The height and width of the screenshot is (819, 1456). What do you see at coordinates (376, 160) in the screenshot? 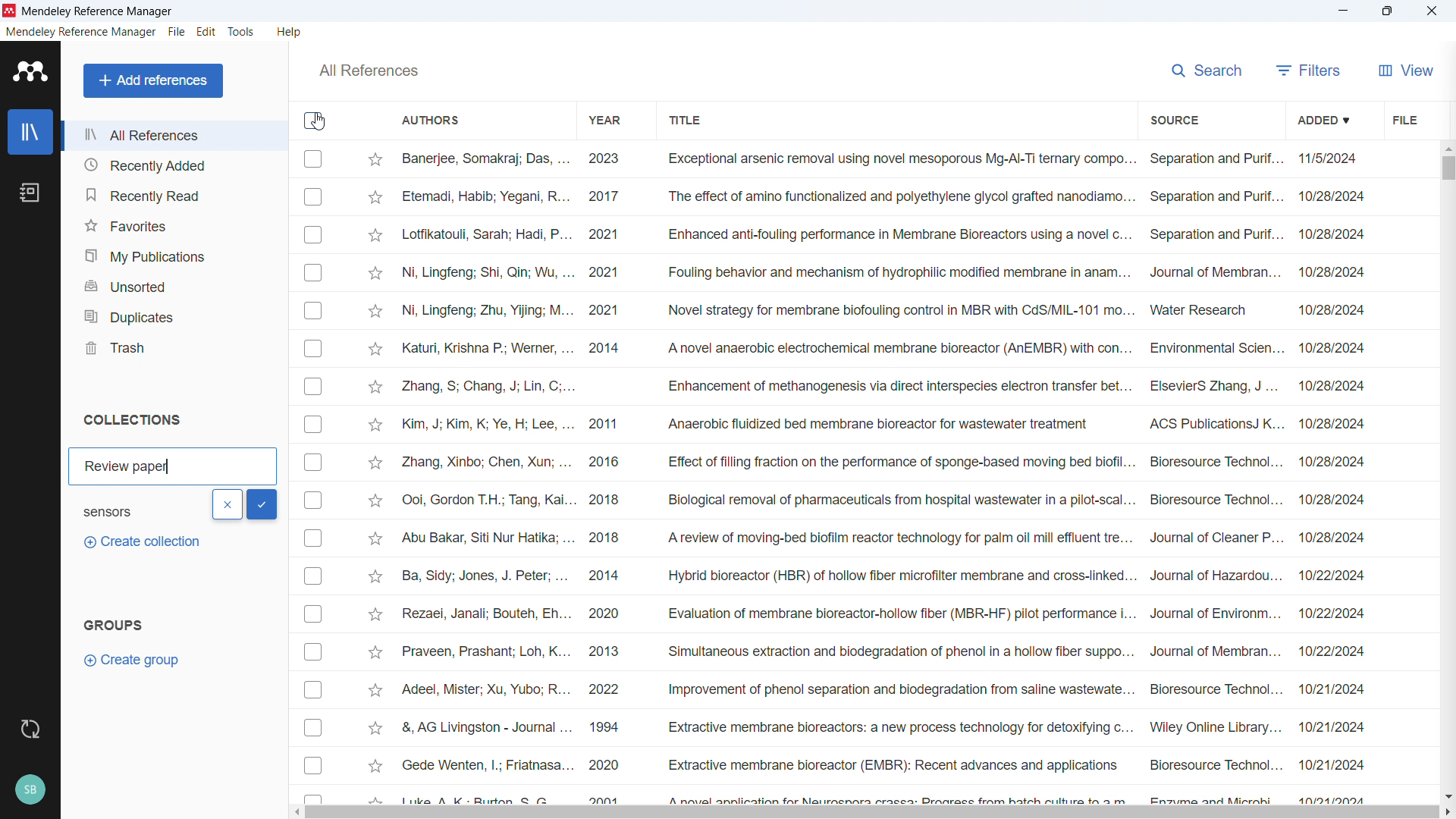
I see `Star mark respective publication` at bounding box center [376, 160].